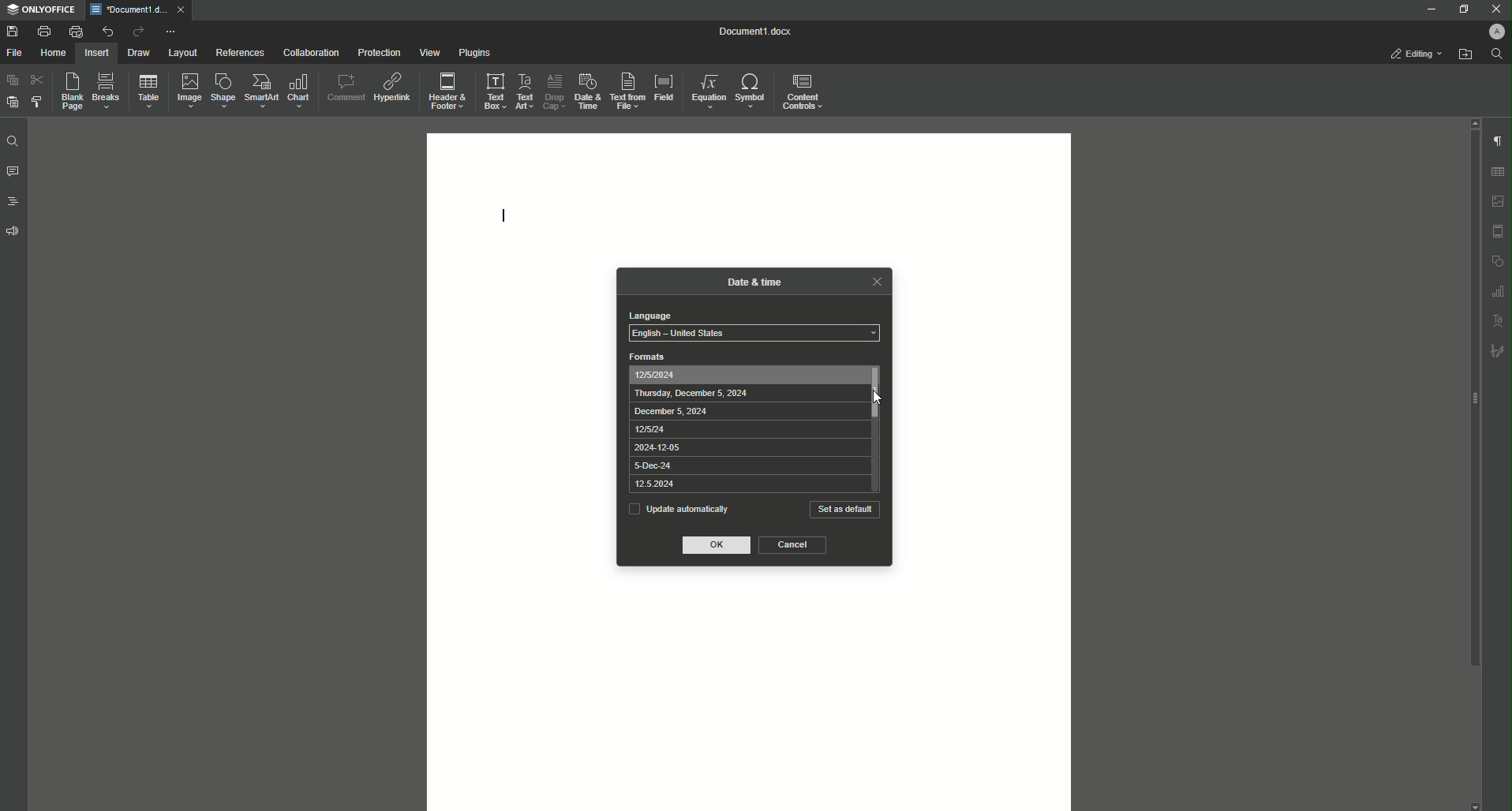 The image size is (1512, 811). What do you see at coordinates (1499, 201) in the screenshot?
I see `image settings` at bounding box center [1499, 201].